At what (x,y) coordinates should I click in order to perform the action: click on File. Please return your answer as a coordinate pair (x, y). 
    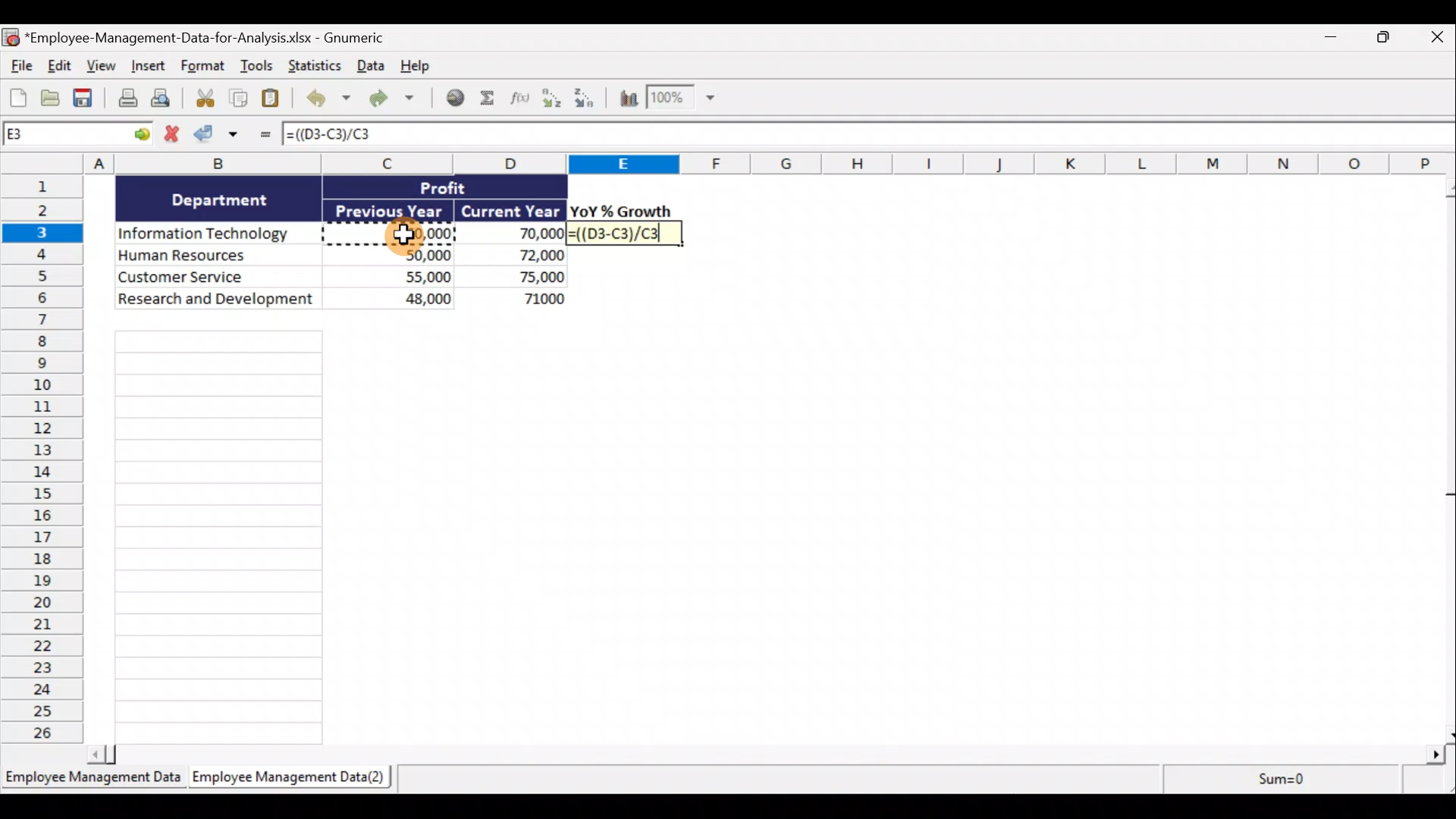
    Looking at the image, I should click on (19, 64).